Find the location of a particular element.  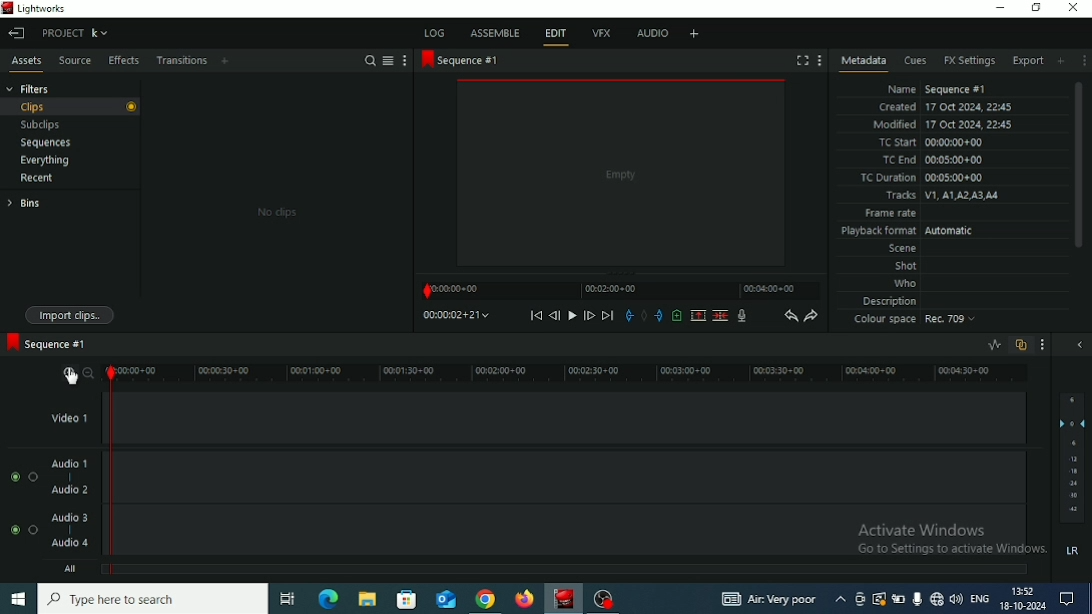

ASSEMBLE is located at coordinates (496, 32).